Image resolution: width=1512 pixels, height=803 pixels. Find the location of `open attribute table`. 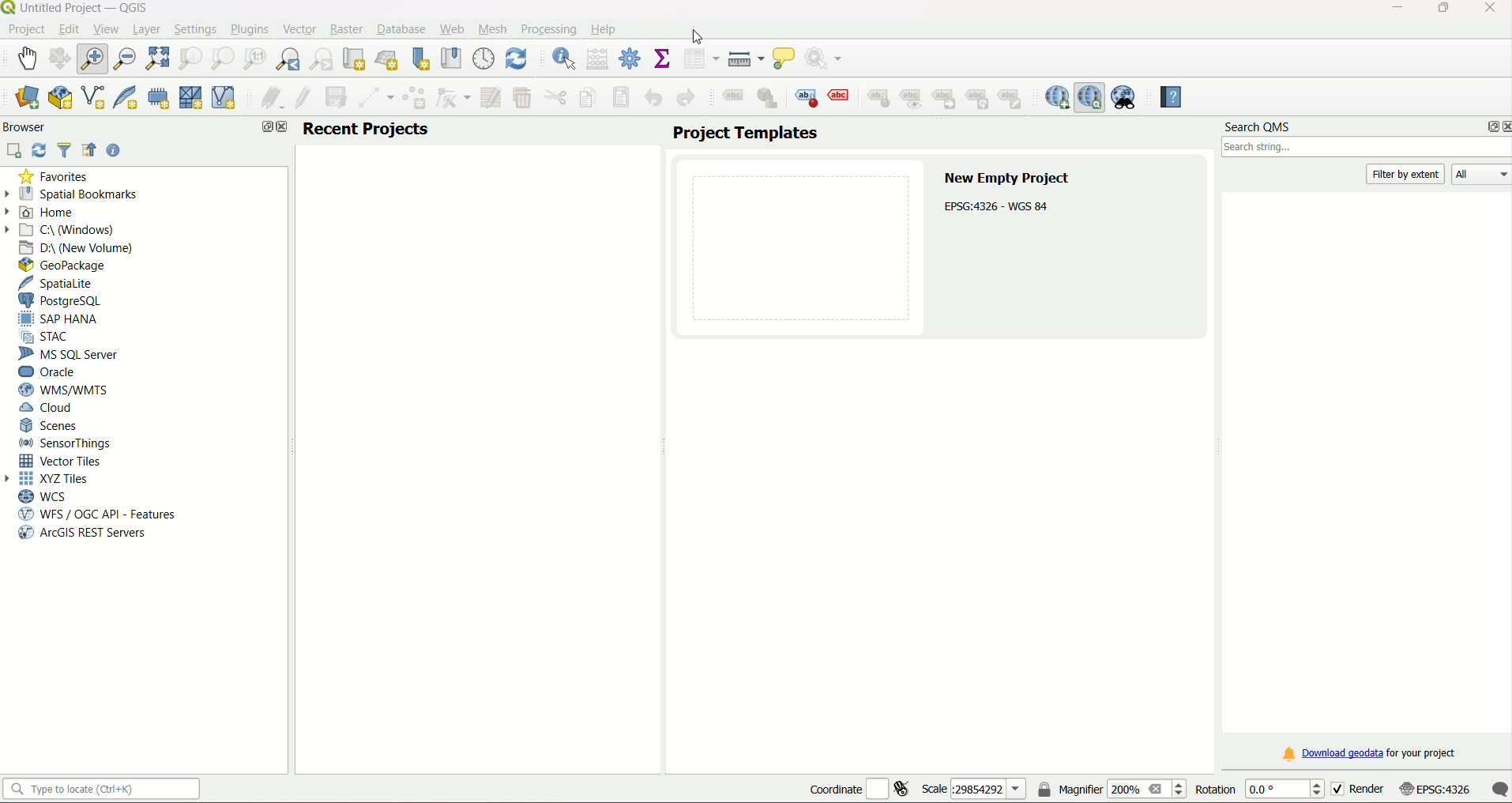

open attribute table is located at coordinates (701, 59).